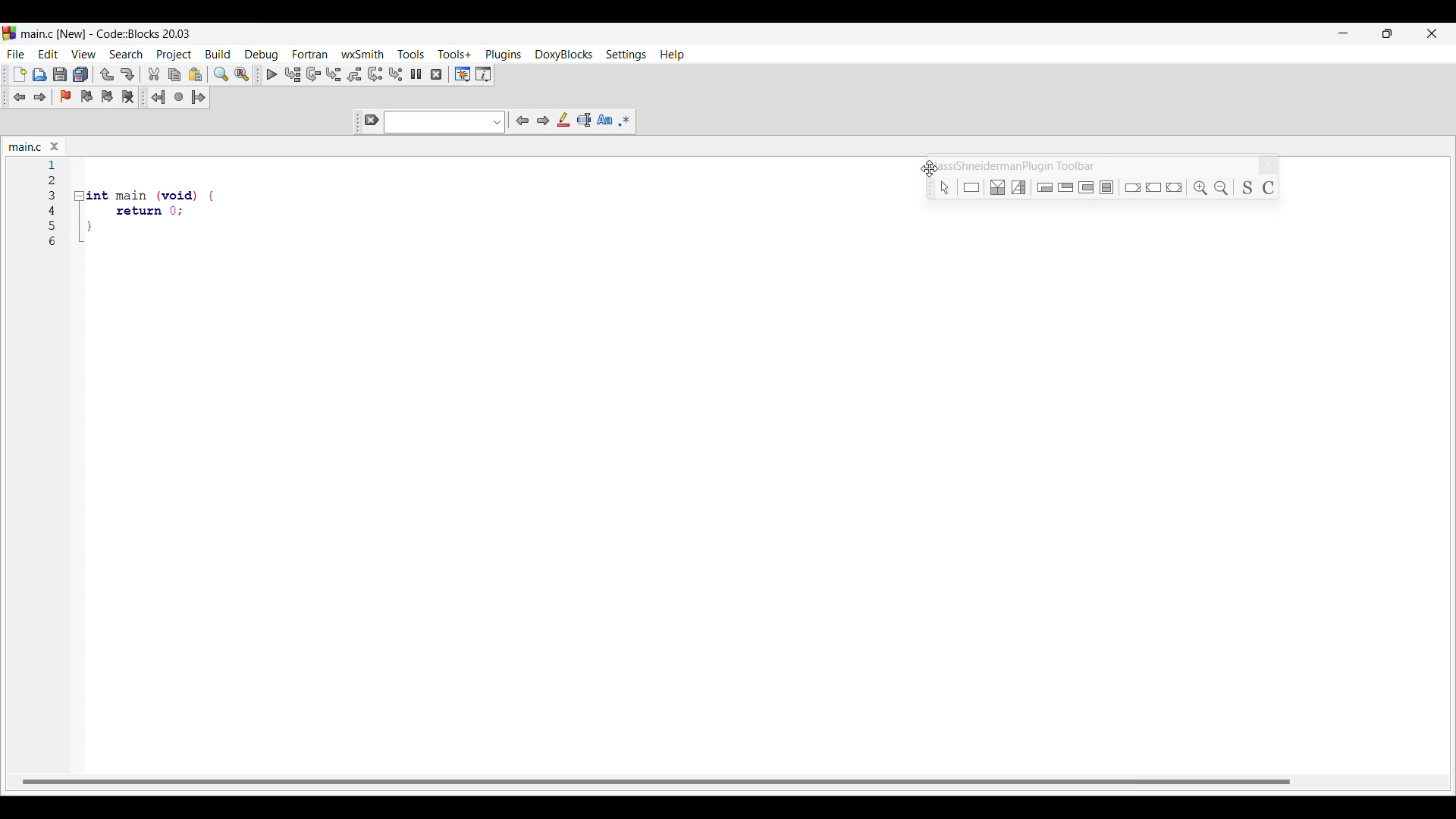 This screenshot has height=819, width=1456. What do you see at coordinates (158, 97) in the screenshot?
I see `Jump back ` at bounding box center [158, 97].